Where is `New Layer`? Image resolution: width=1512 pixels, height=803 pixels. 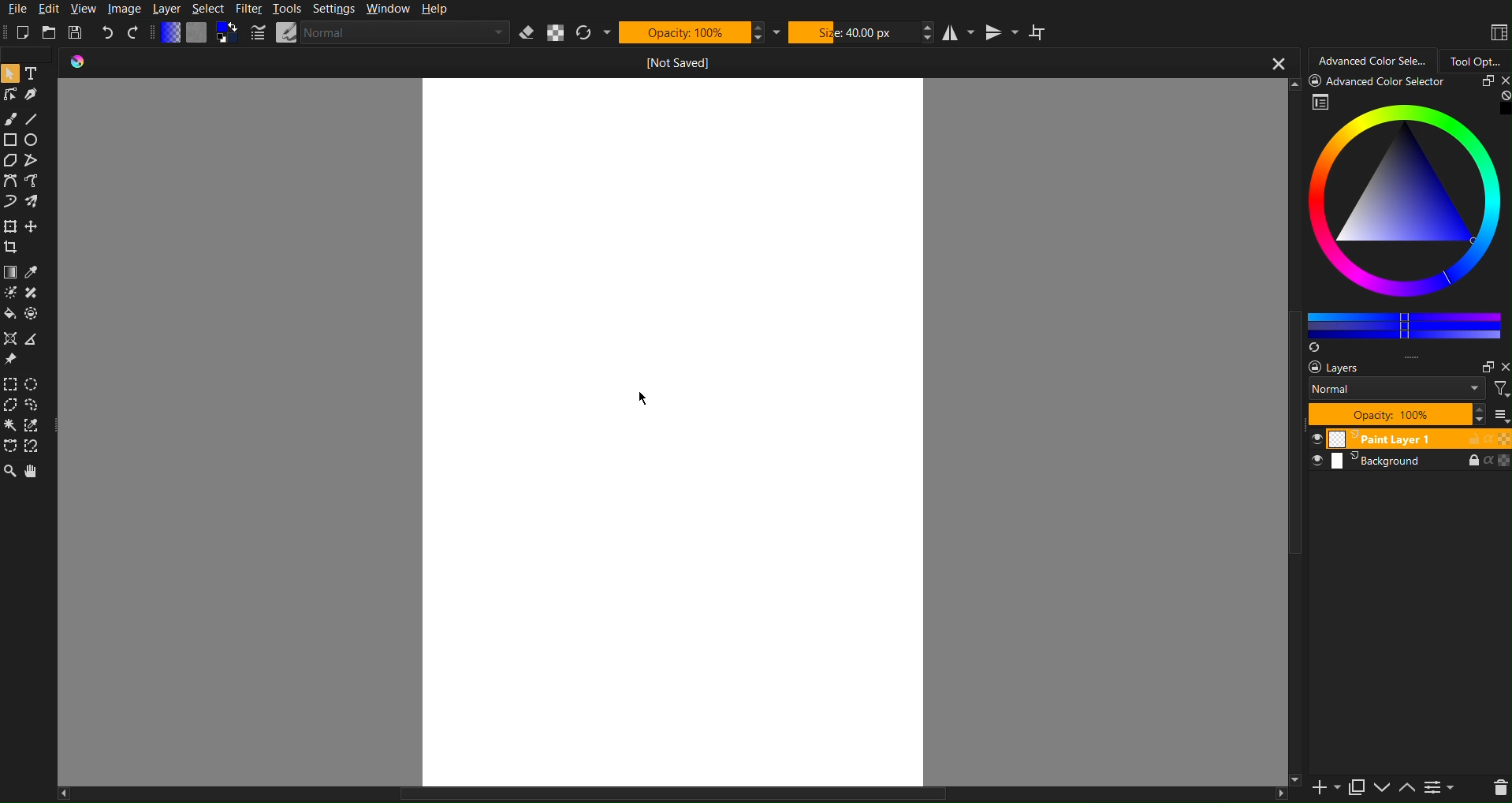
New Layer is located at coordinates (1320, 786).